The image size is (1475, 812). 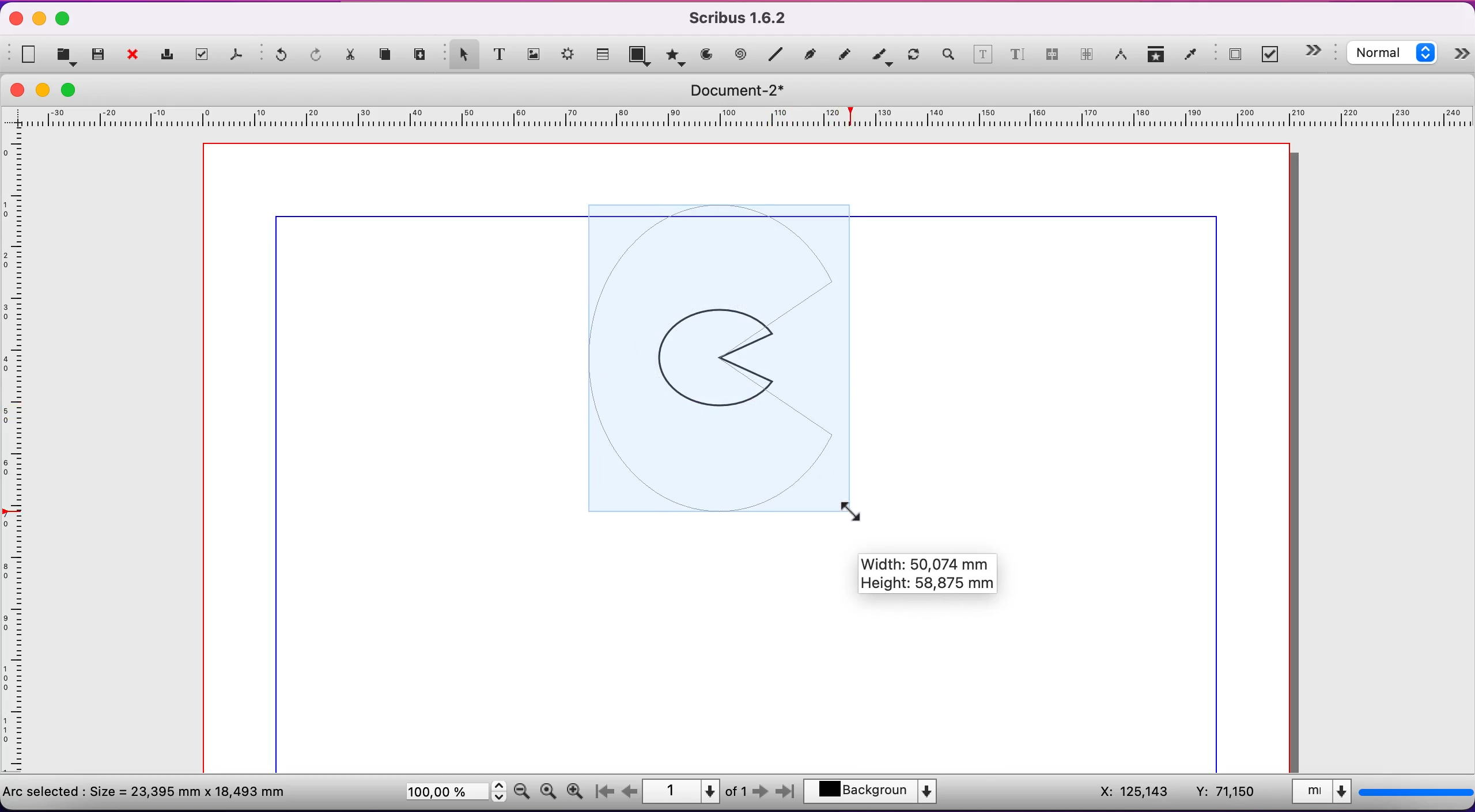 What do you see at coordinates (1462, 56) in the screenshot?
I see `hide/show panel` at bounding box center [1462, 56].